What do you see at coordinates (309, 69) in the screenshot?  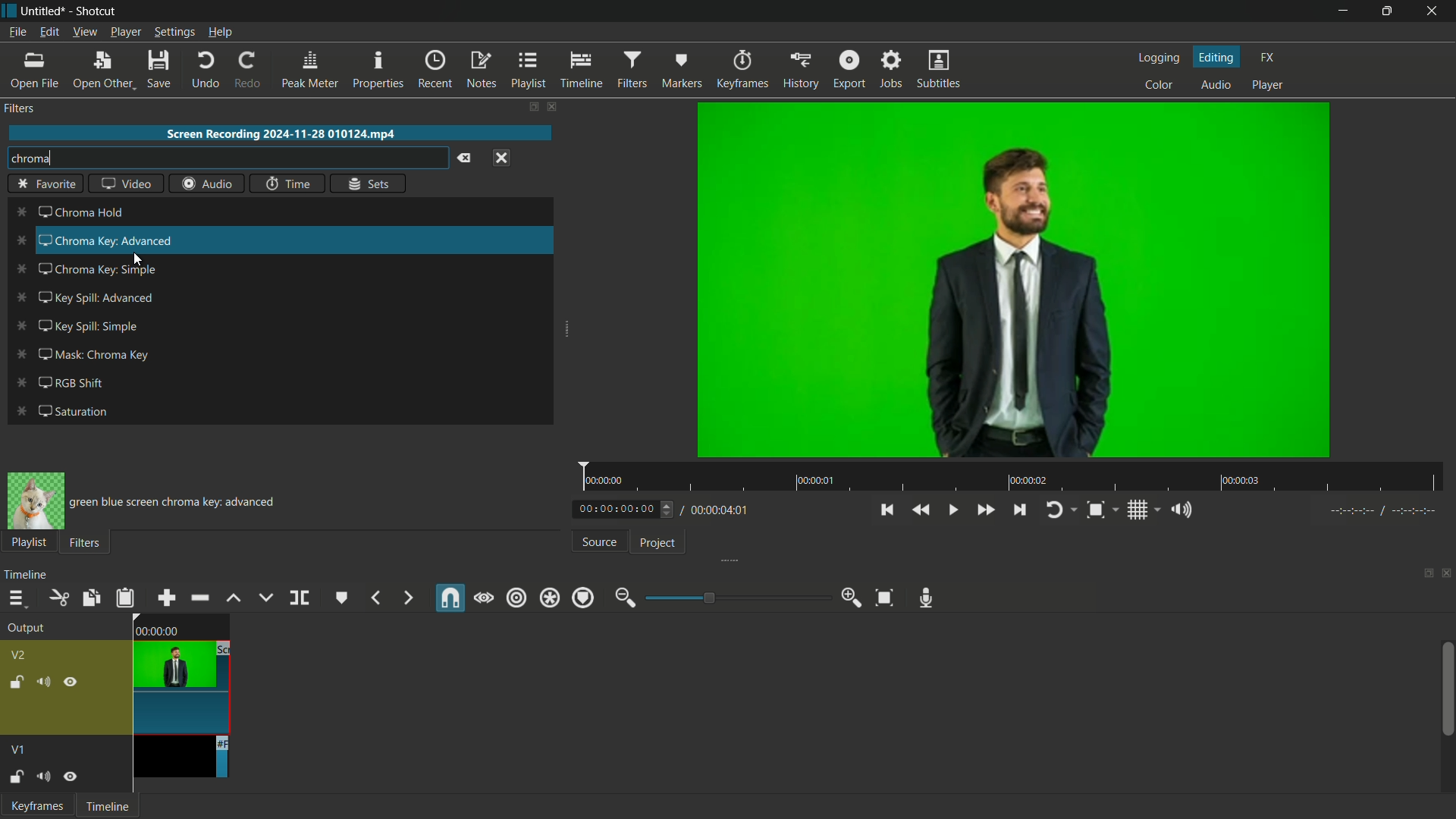 I see `peak meter` at bounding box center [309, 69].